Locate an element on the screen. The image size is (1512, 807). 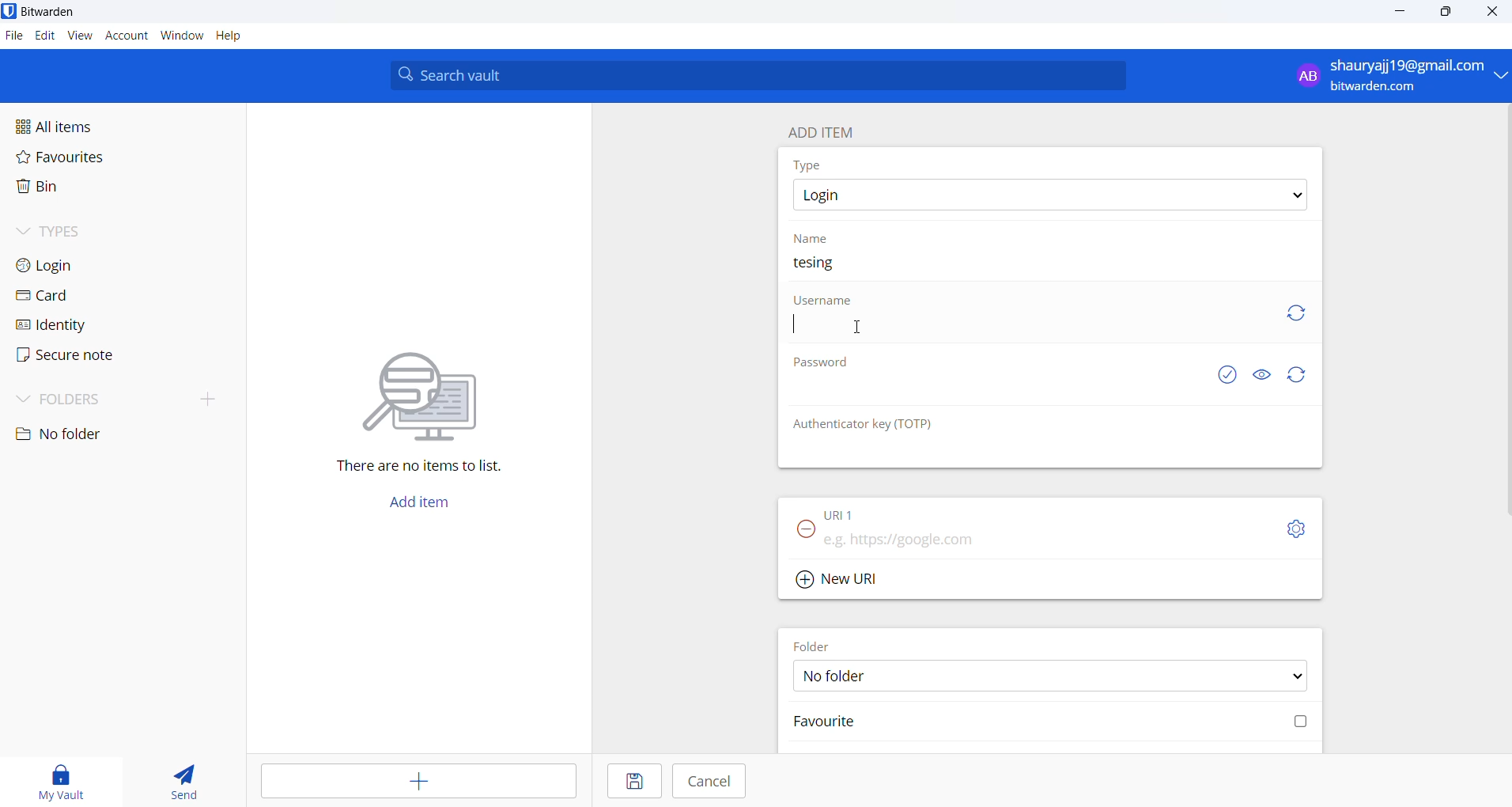
search bar is located at coordinates (764, 75).